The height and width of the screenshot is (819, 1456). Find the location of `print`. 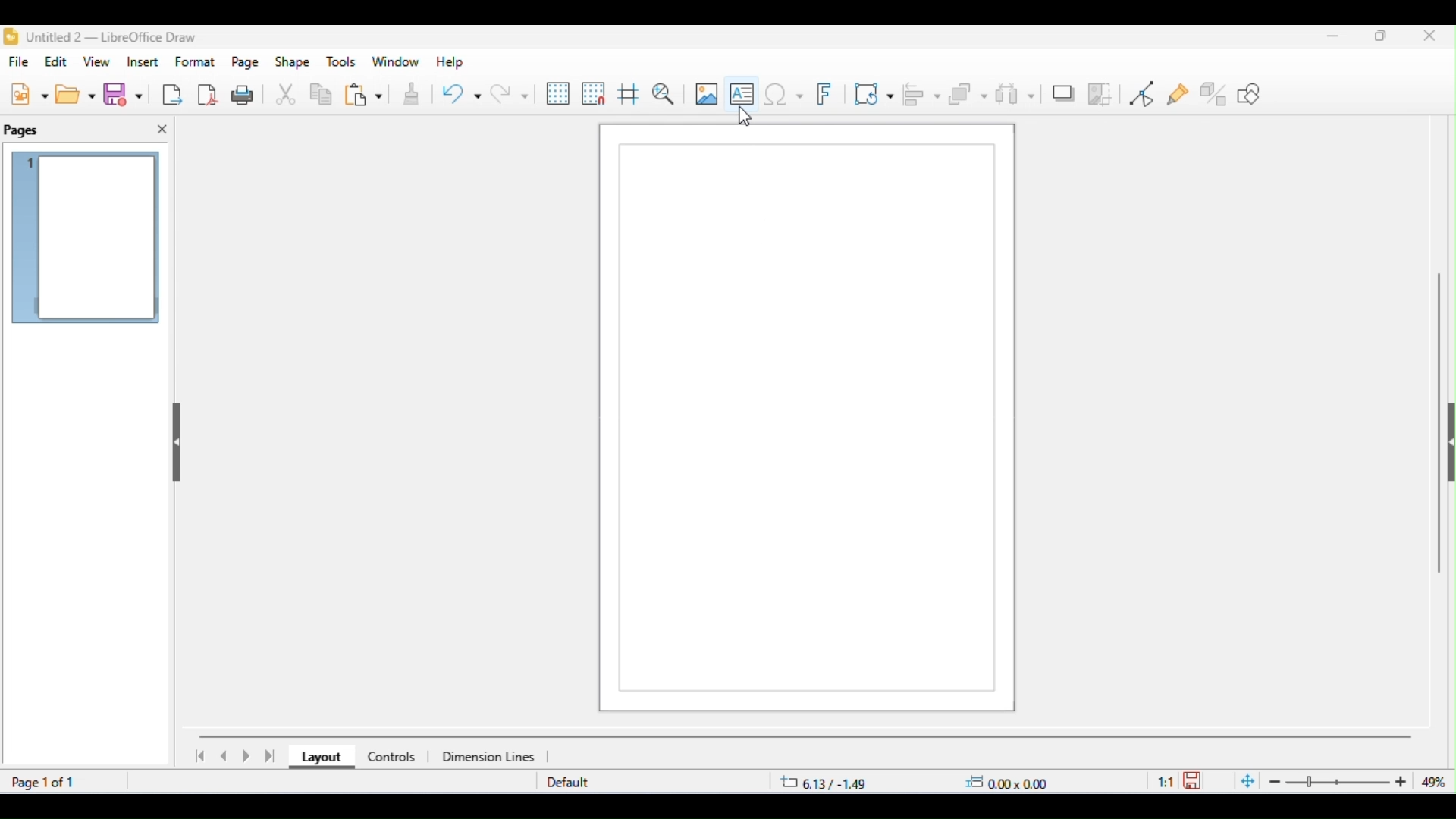

print is located at coordinates (246, 94).